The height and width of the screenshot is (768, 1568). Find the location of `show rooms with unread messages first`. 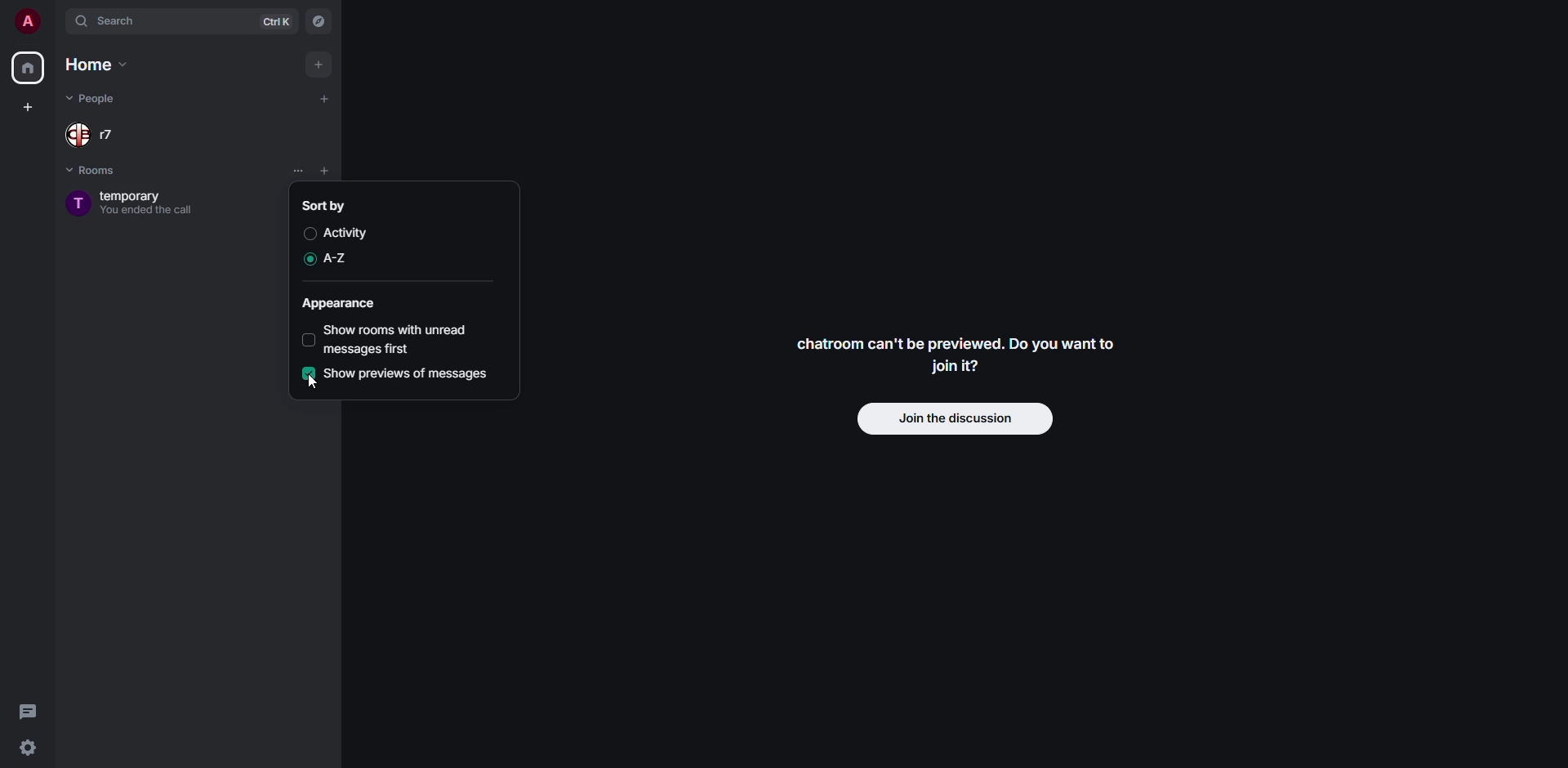

show rooms with unread messages first is located at coordinates (400, 340).